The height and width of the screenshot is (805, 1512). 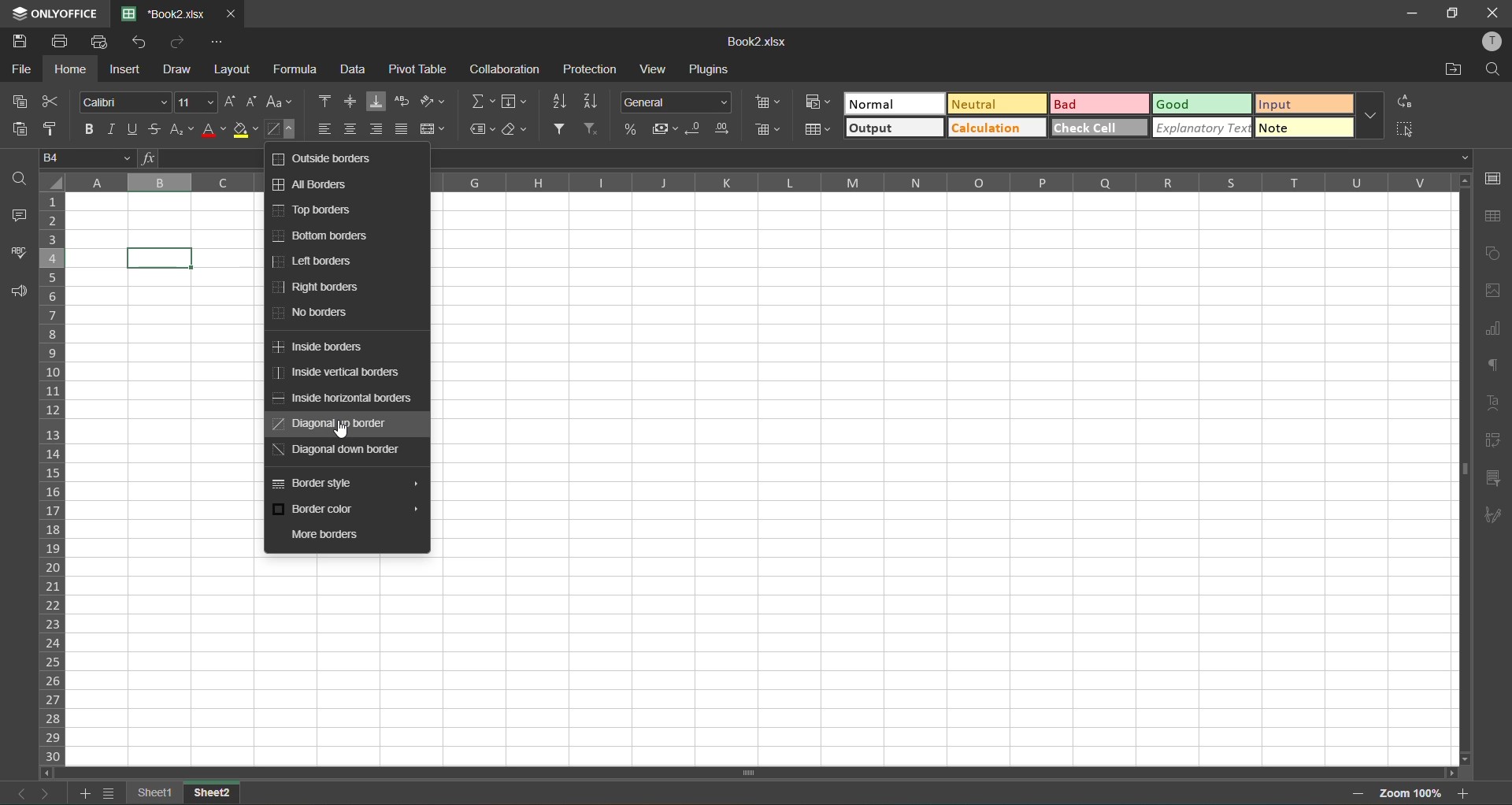 I want to click on delete cells, so click(x=767, y=132).